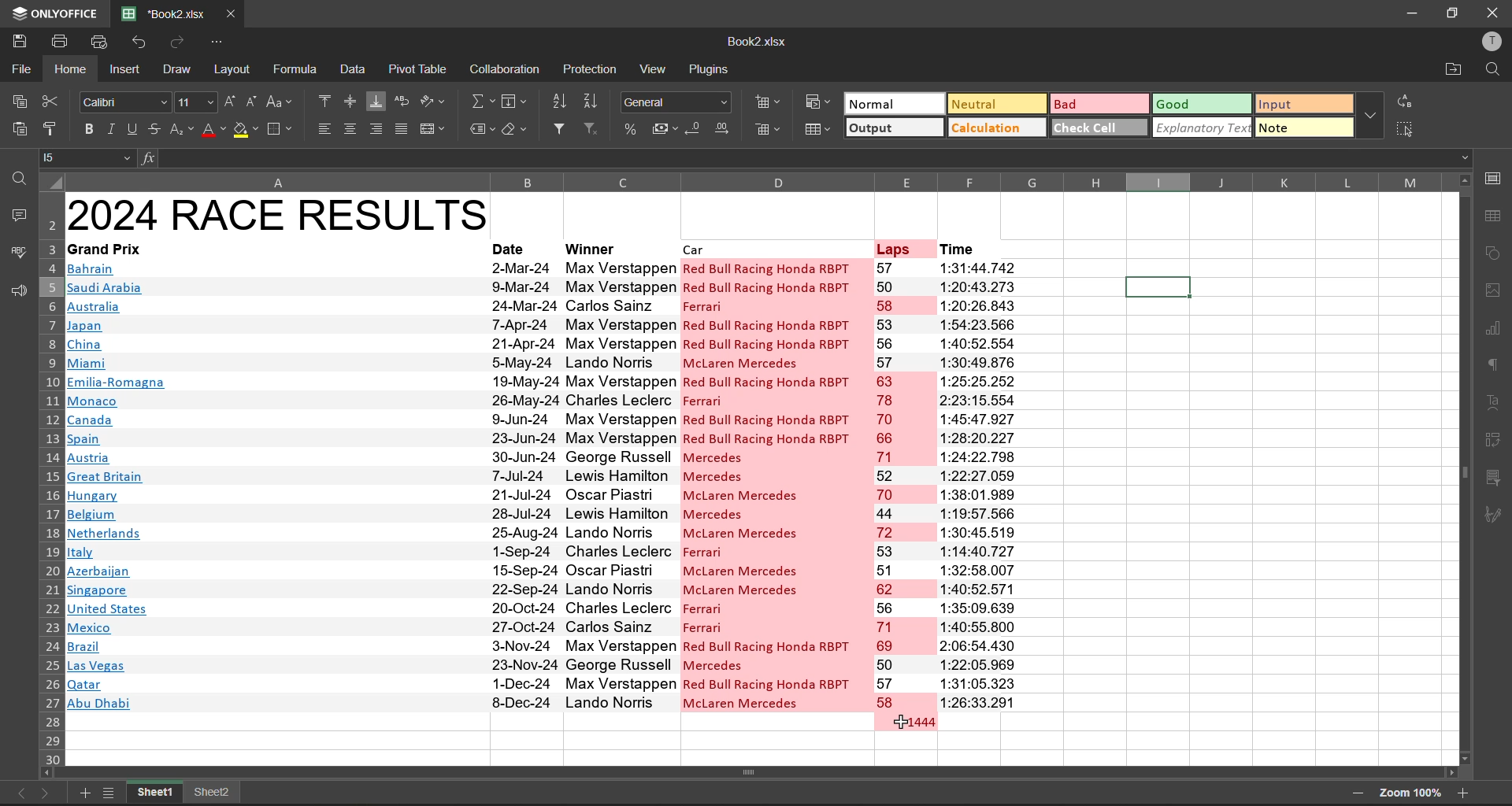  What do you see at coordinates (280, 214) in the screenshot?
I see `2024 race results` at bounding box center [280, 214].